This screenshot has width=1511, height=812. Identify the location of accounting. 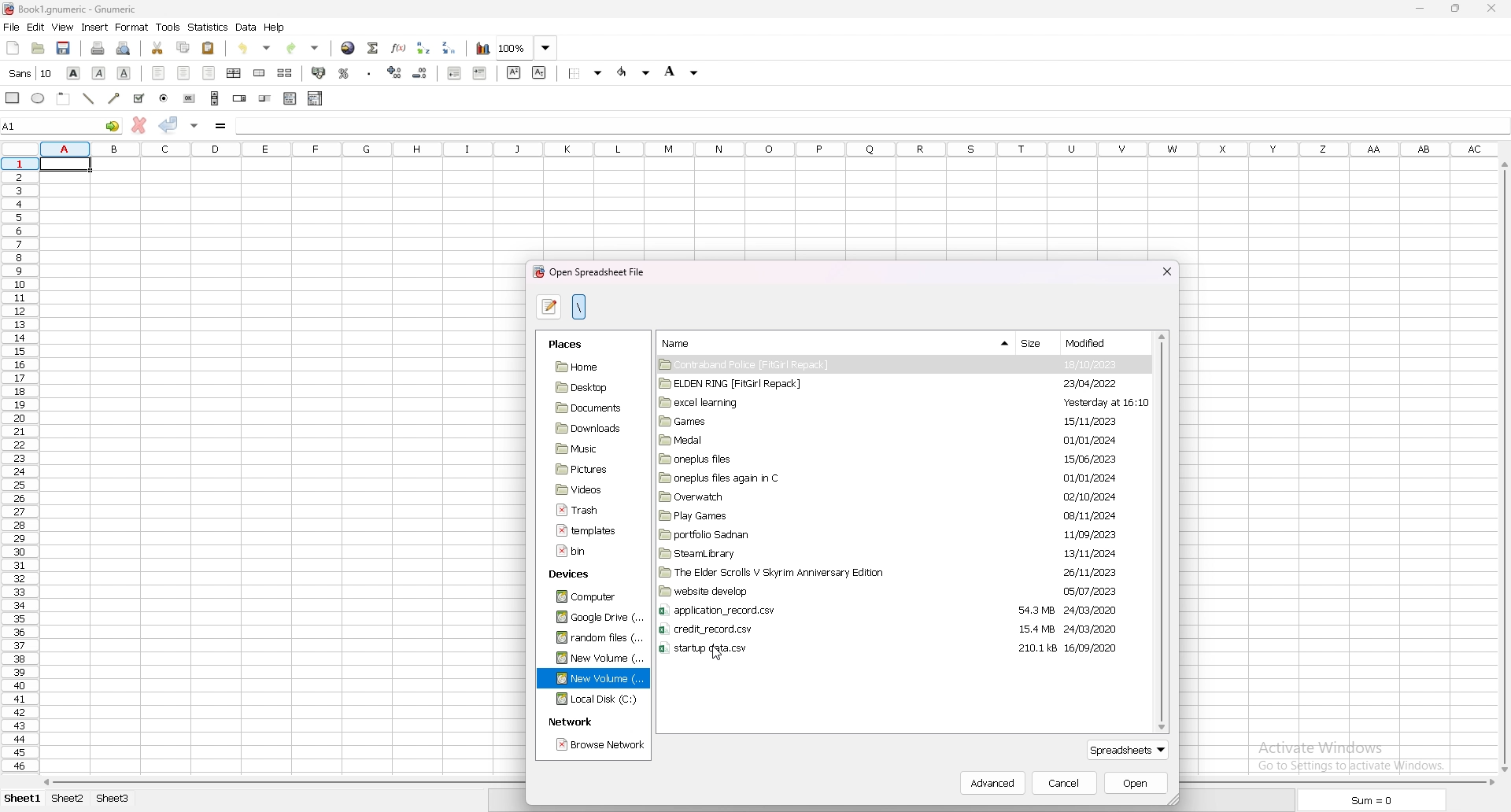
(320, 72).